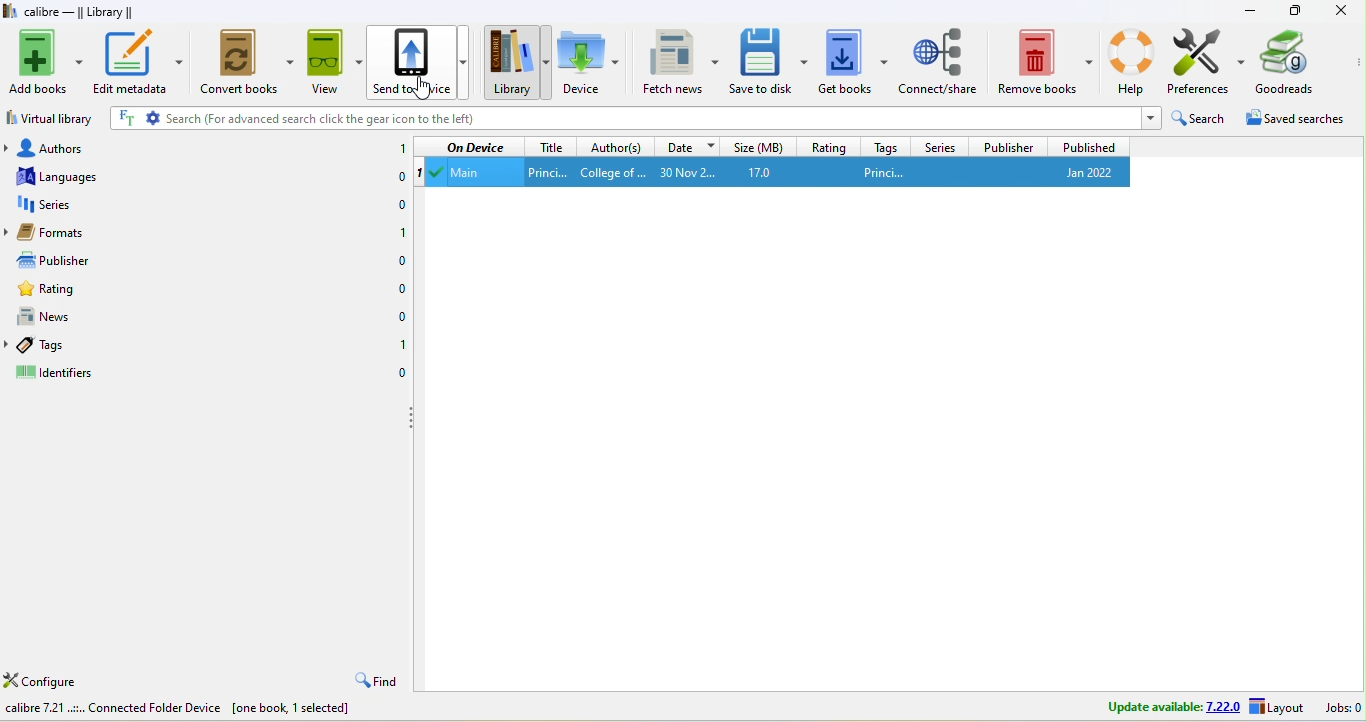  I want to click on device, so click(588, 64).